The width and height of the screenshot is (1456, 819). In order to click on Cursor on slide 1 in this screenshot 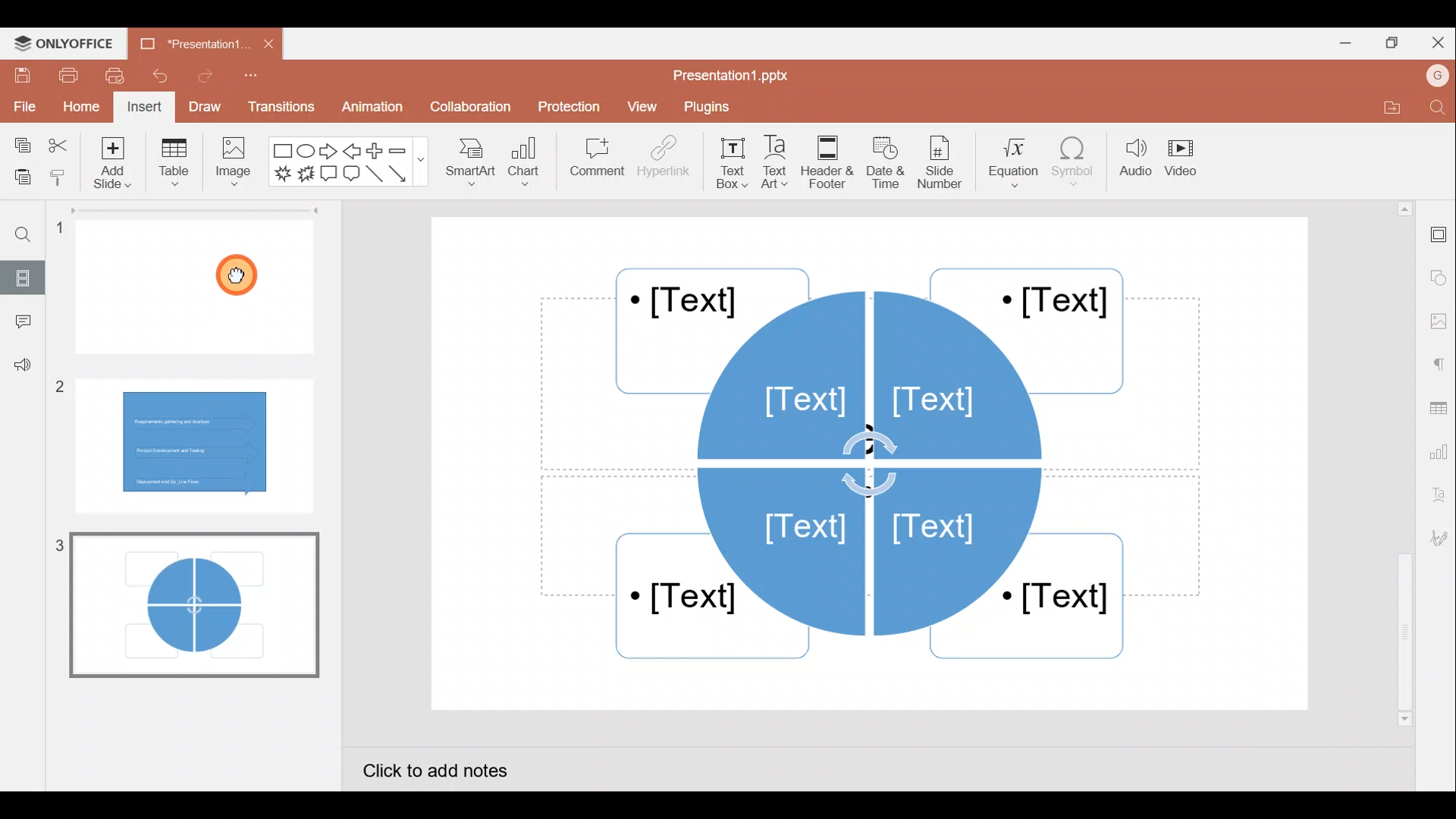, I will do `click(241, 275)`.